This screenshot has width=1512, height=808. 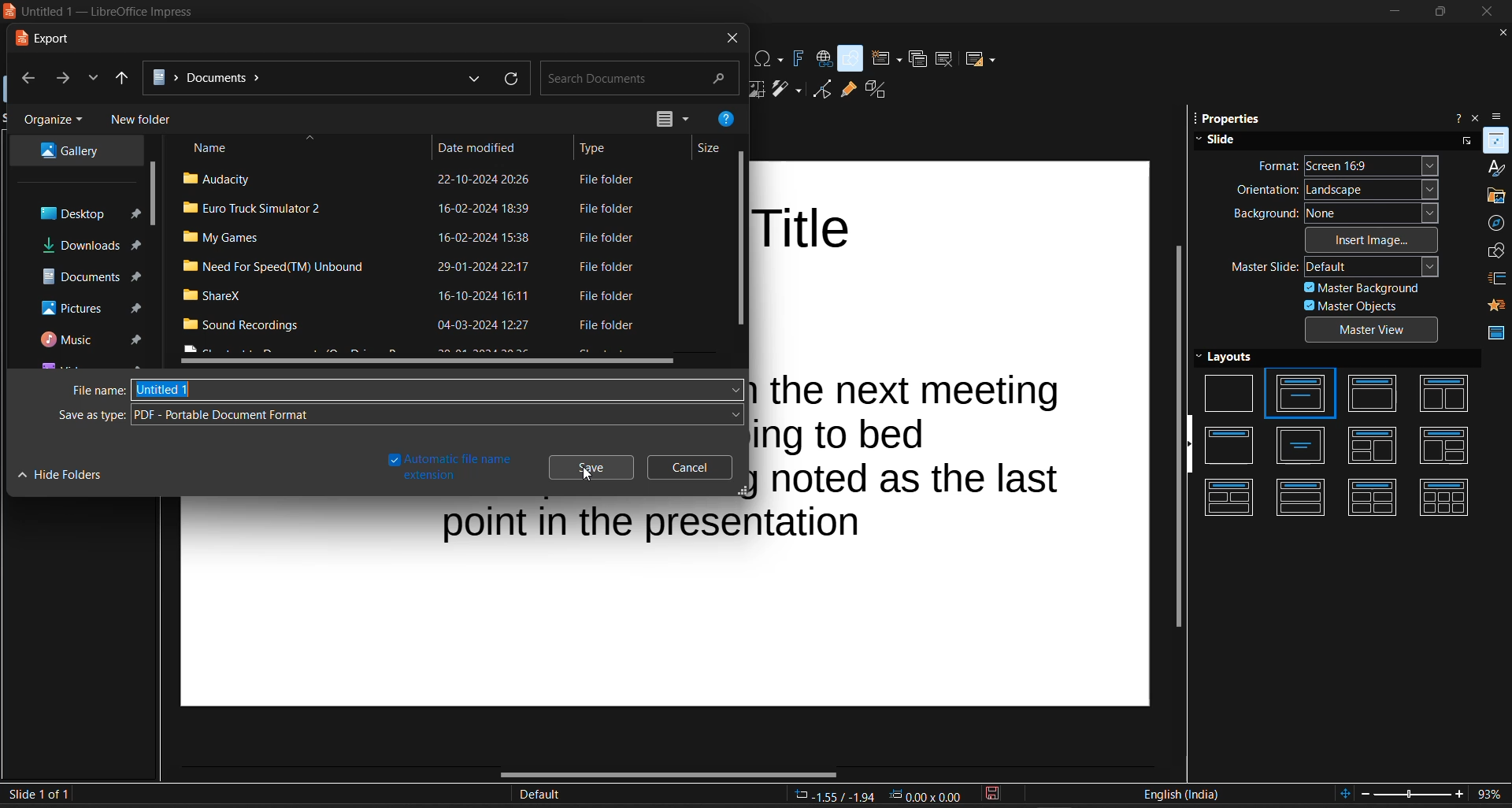 What do you see at coordinates (662, 120) in the screenshot?
I see `change your view` at bounding box center [662, 120].